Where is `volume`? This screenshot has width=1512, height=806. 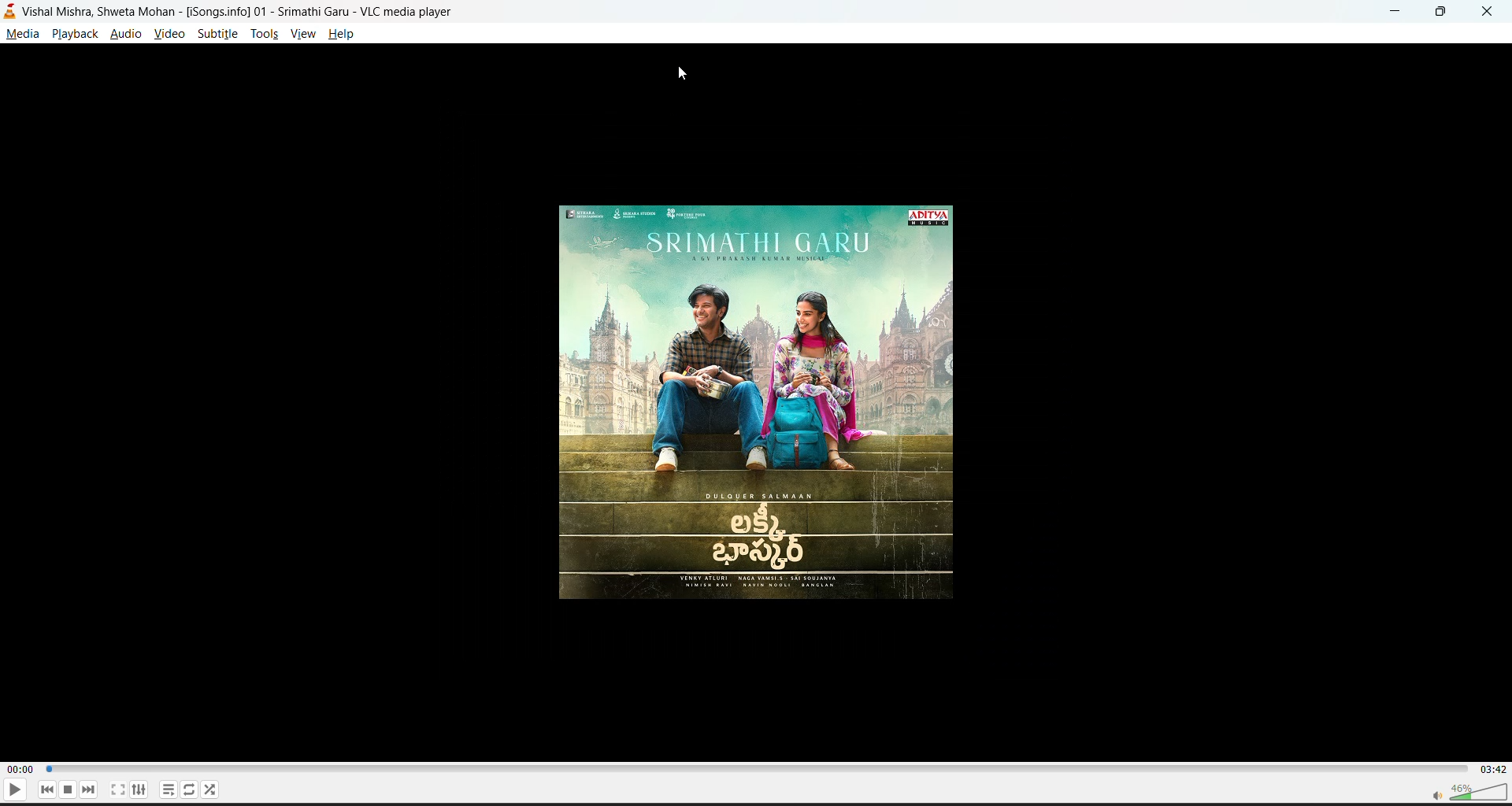 volume is located at coordinates (1462, 790).